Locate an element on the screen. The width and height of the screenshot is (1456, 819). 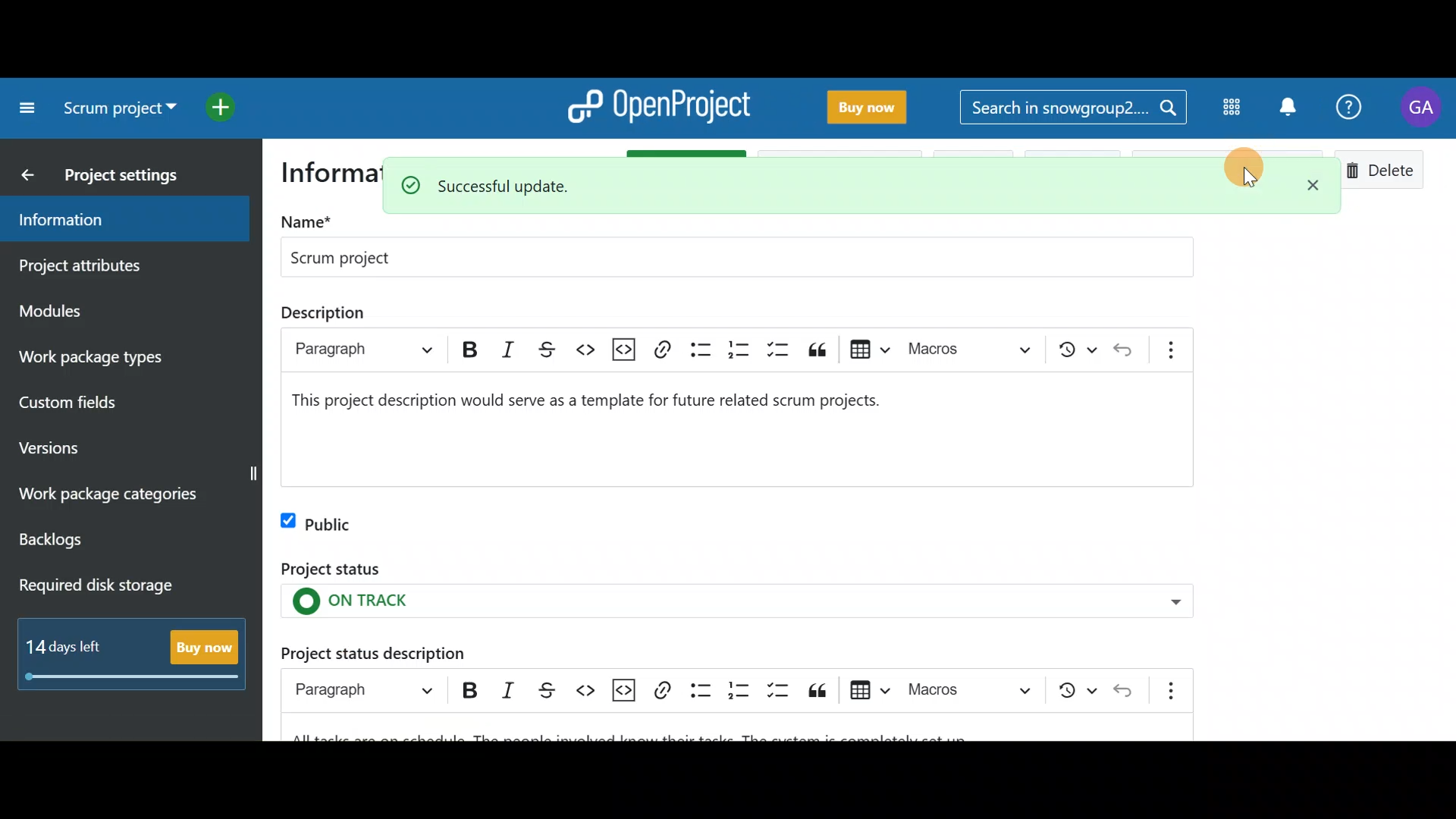
Show local modifications is located at coordinates (1069, 690).